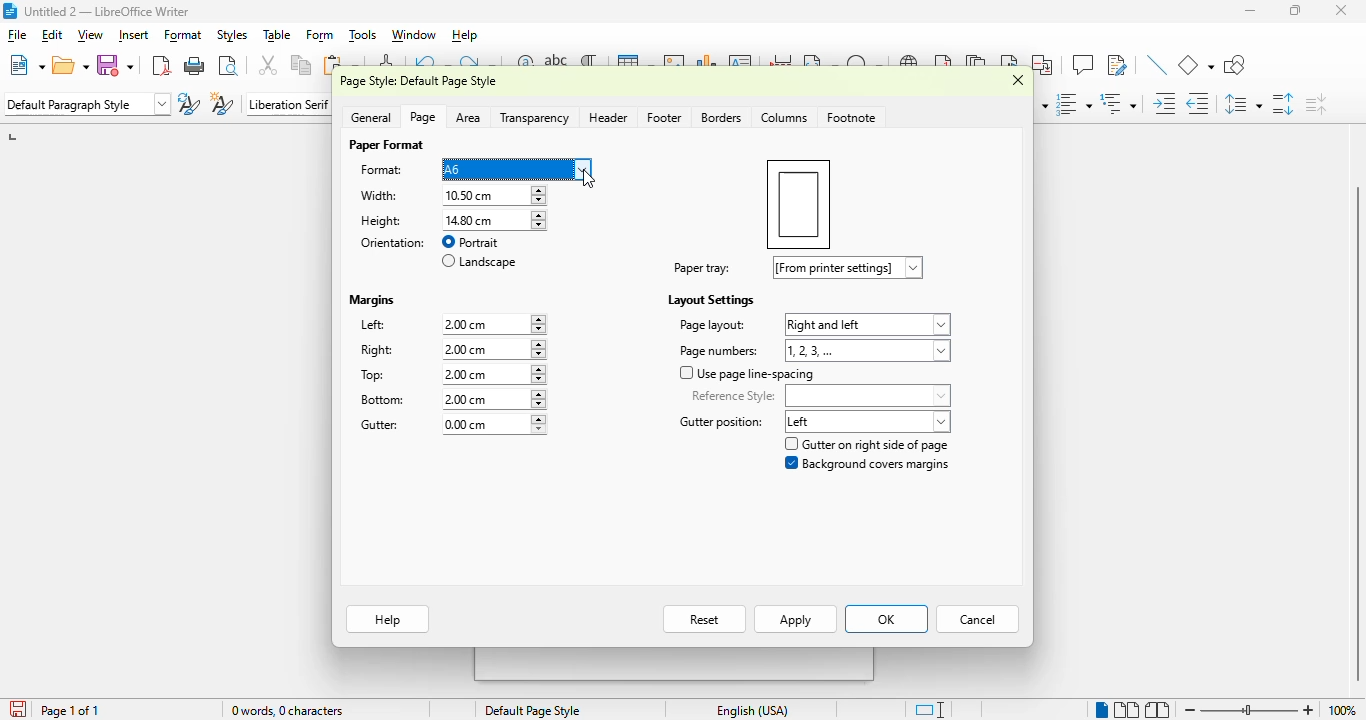 The height and width of the screenshot is (720, 1366). I want to click on window, so click(414, 34).